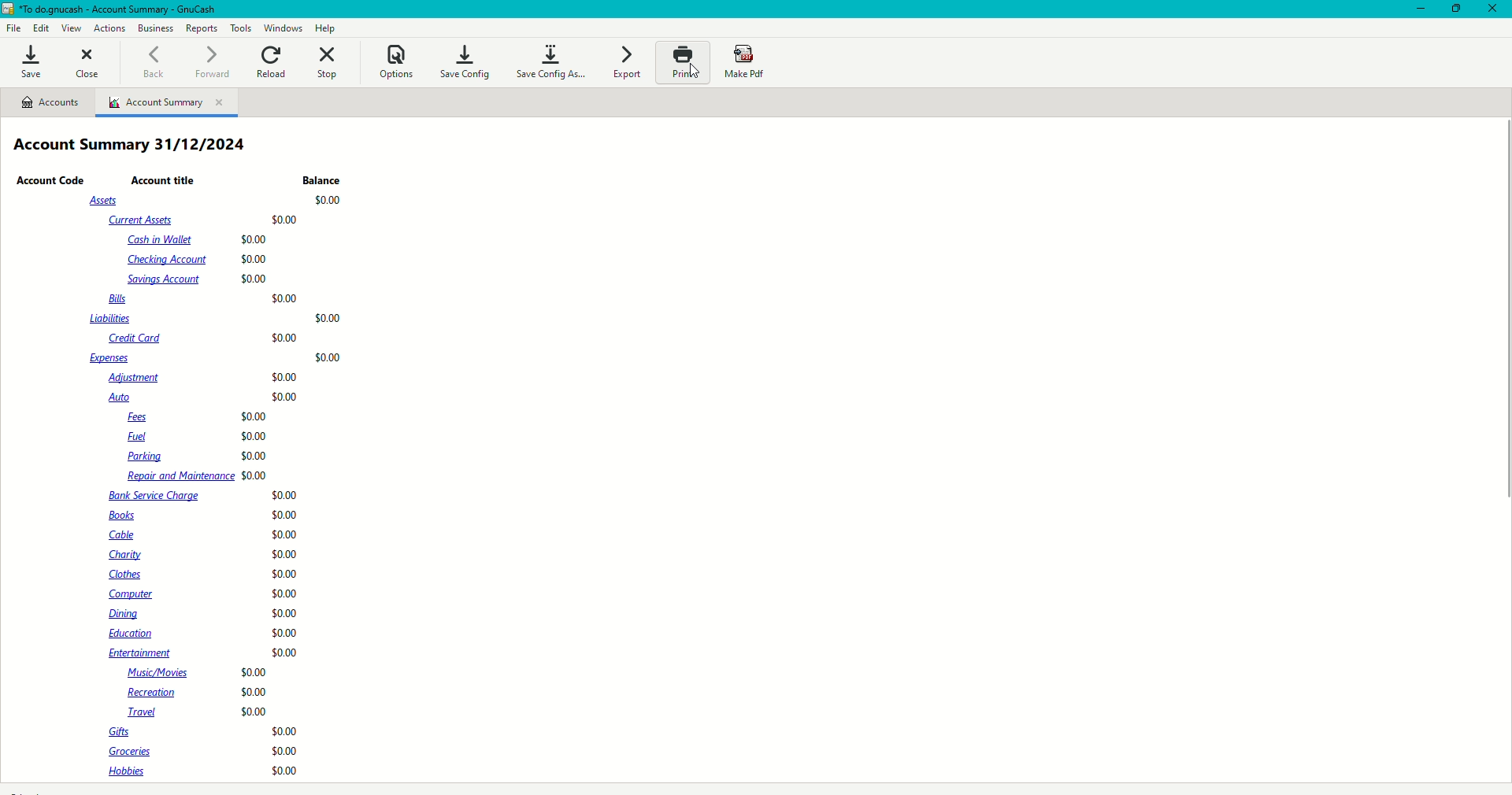 Image resolution: width=1512 pixels, height=795 pixels. What do you see at coordinates (681, 62) in the screenshot?
I see `Print` at bounding box center [681, 62].